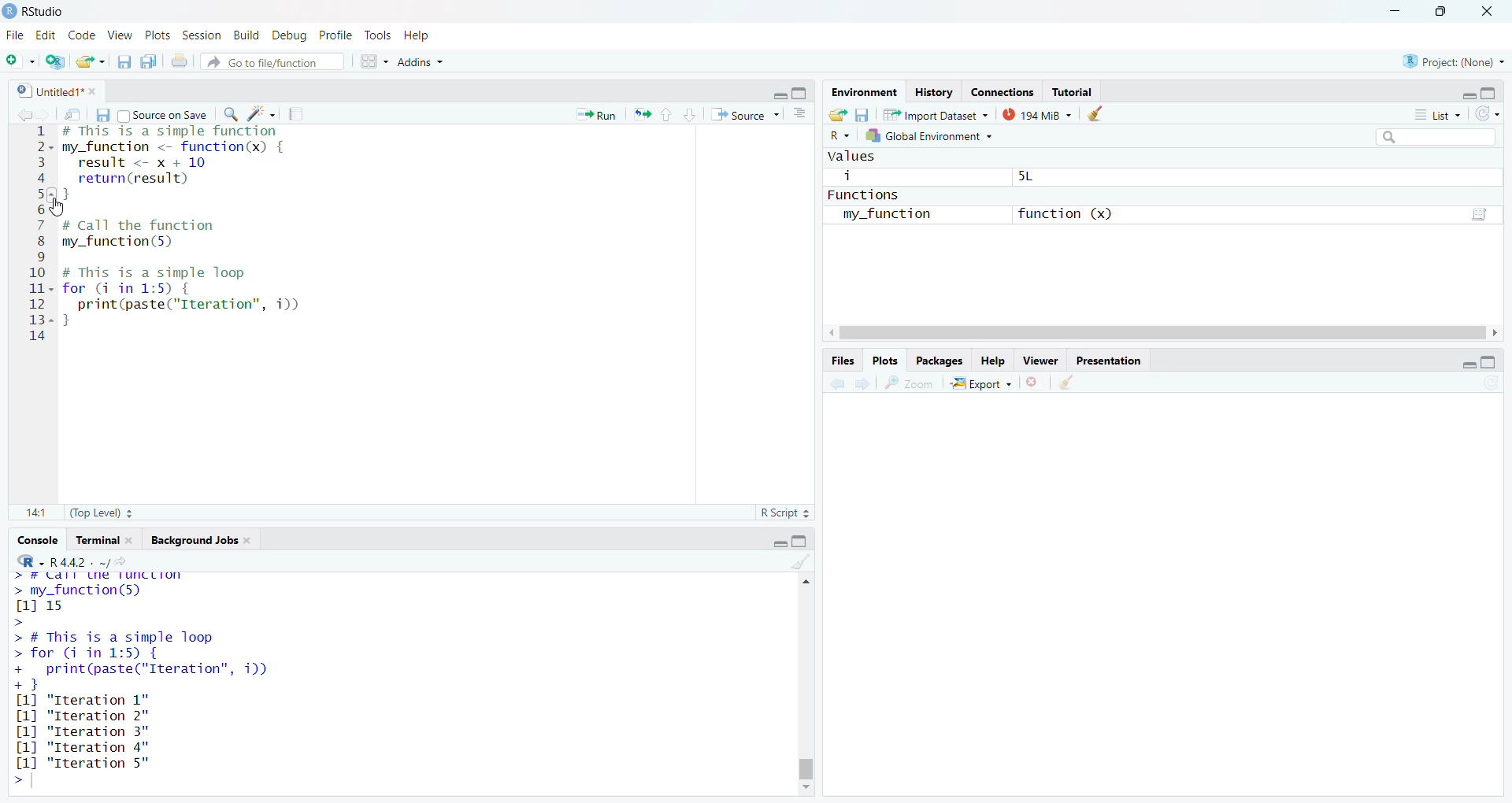  What do you see at coordinates (787, 513) in the screenshot?
I see `R Script` at bounding box center [787, 513].